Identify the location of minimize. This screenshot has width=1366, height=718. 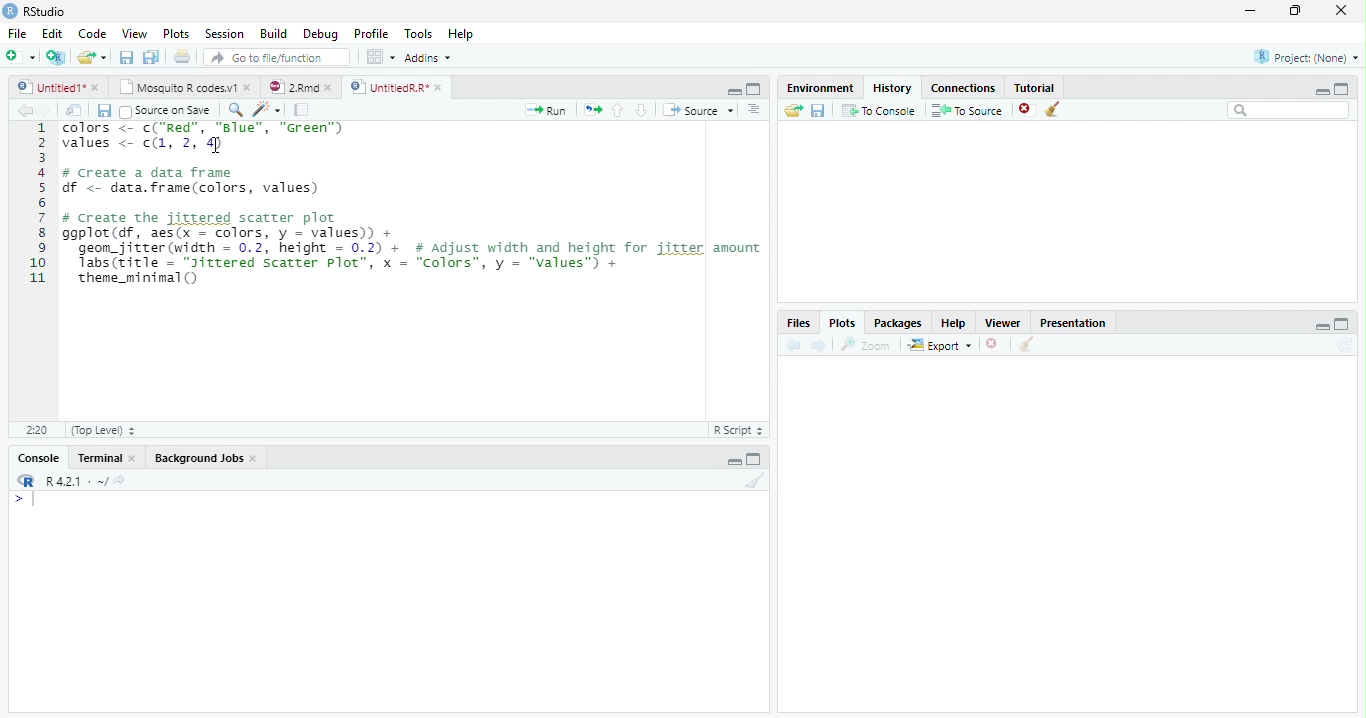
(1251, 10).